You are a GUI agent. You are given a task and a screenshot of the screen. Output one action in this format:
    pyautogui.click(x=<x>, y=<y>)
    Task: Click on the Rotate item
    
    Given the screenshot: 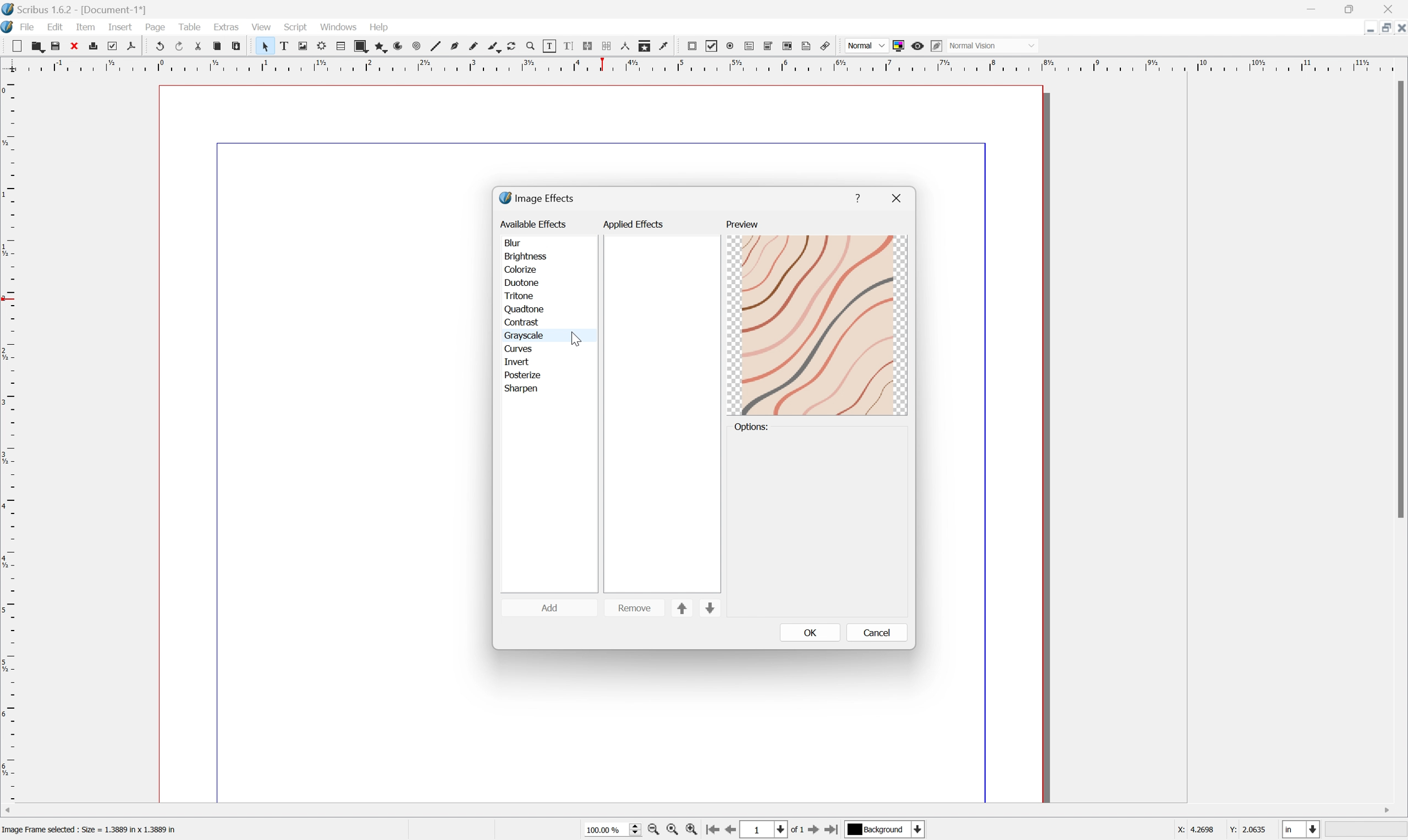 What is the action you would take?
    pyautogui.click(x=517, y=47)
    